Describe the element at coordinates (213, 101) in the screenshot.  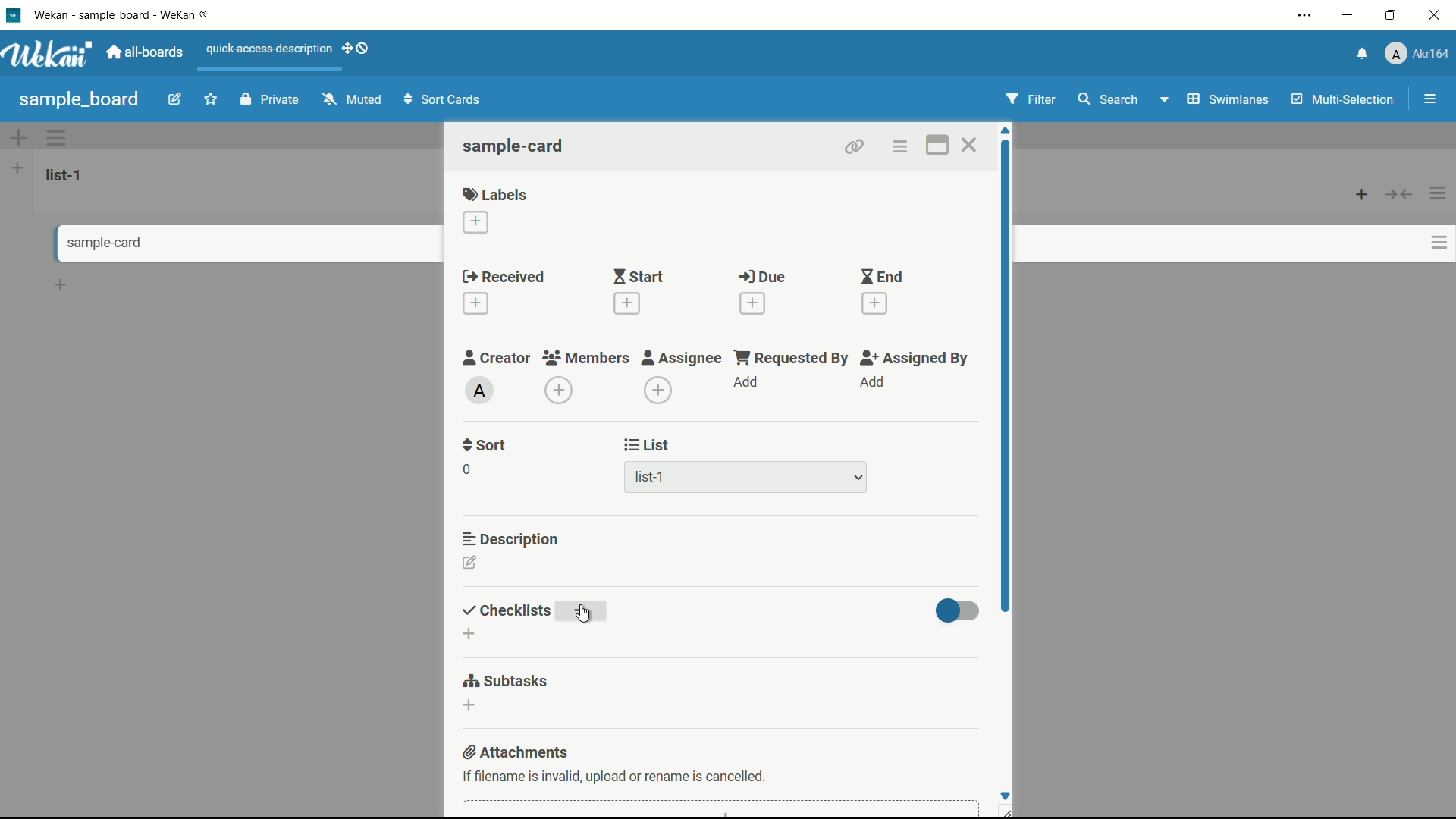
I see `star` at that location.